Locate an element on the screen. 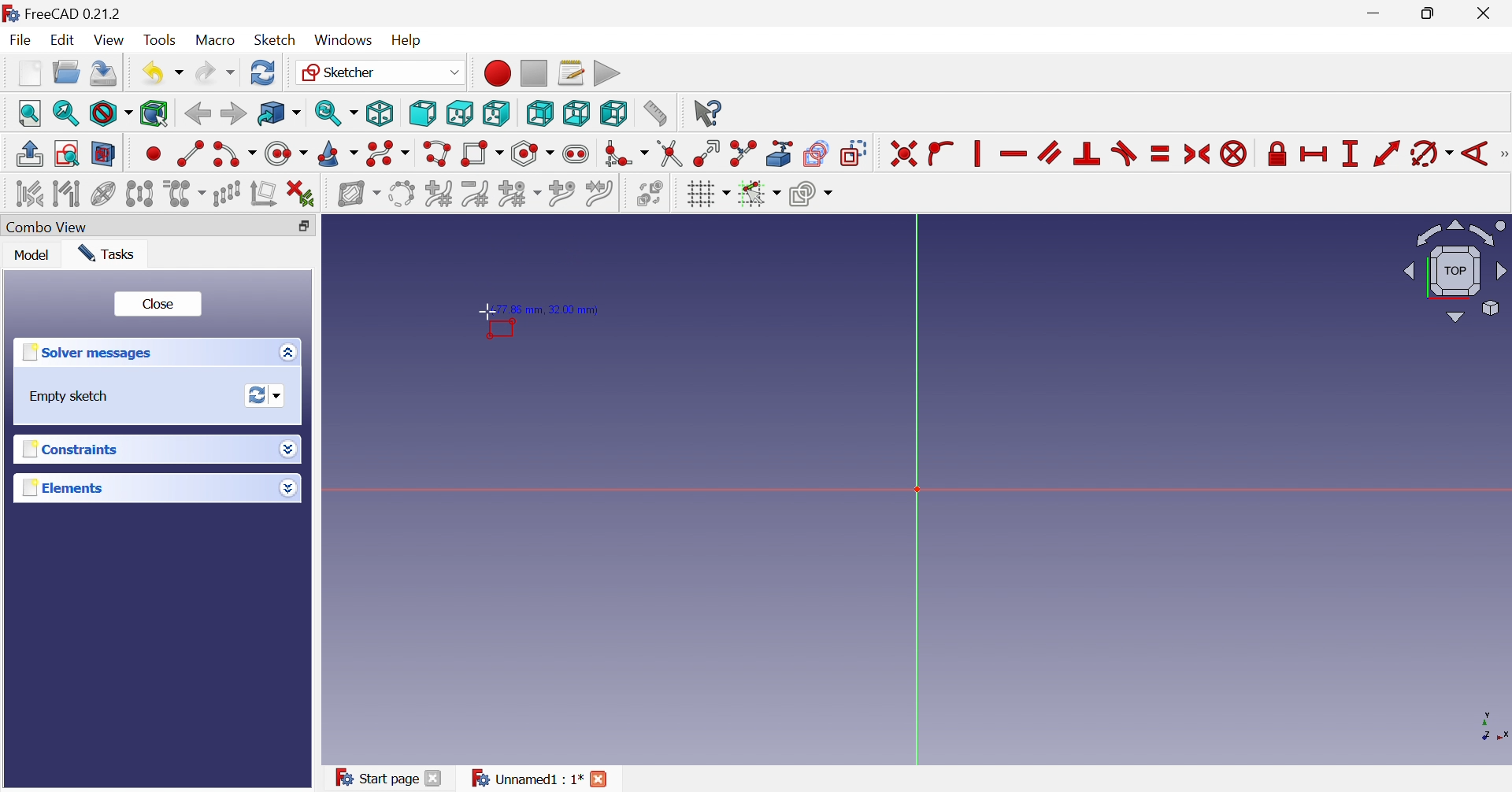 This screenshot has width=1512, height=792. Create line is located at coordinates (190, 152).